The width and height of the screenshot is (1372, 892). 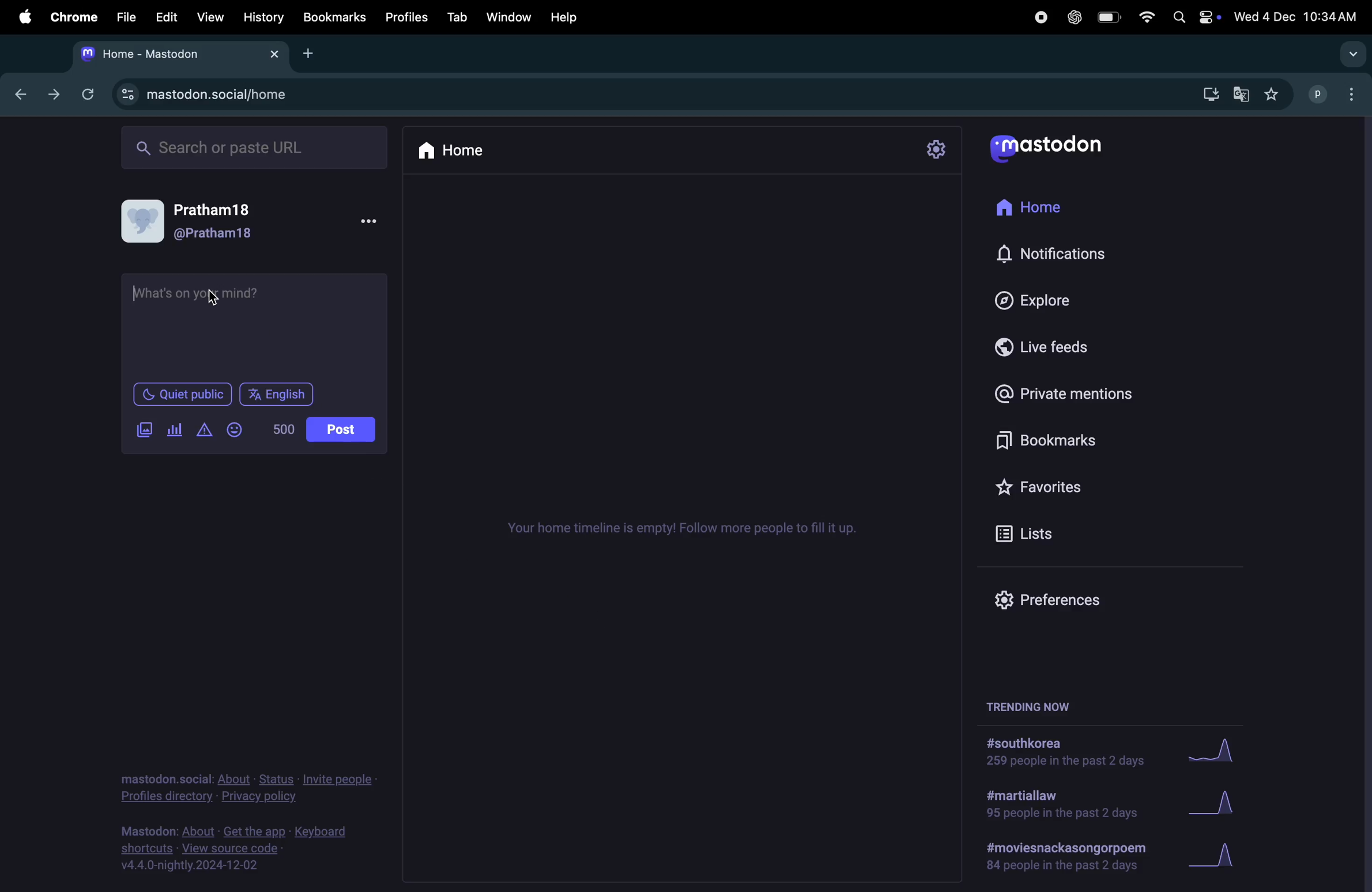 I want to click on drop down, so click(x=1354, y=55).